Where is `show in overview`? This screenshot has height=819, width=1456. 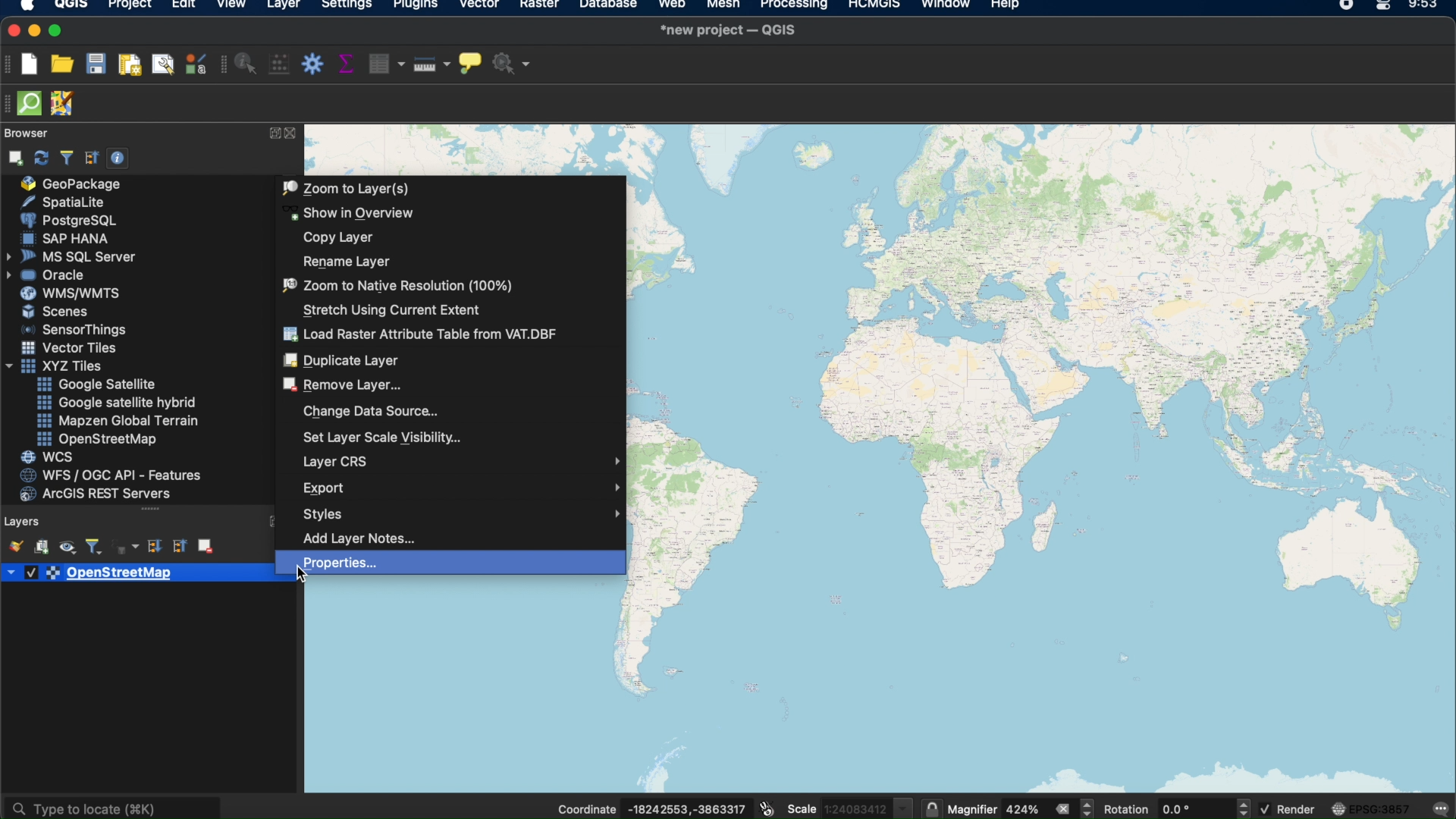 show in overview is located at coordinates (351, 213).